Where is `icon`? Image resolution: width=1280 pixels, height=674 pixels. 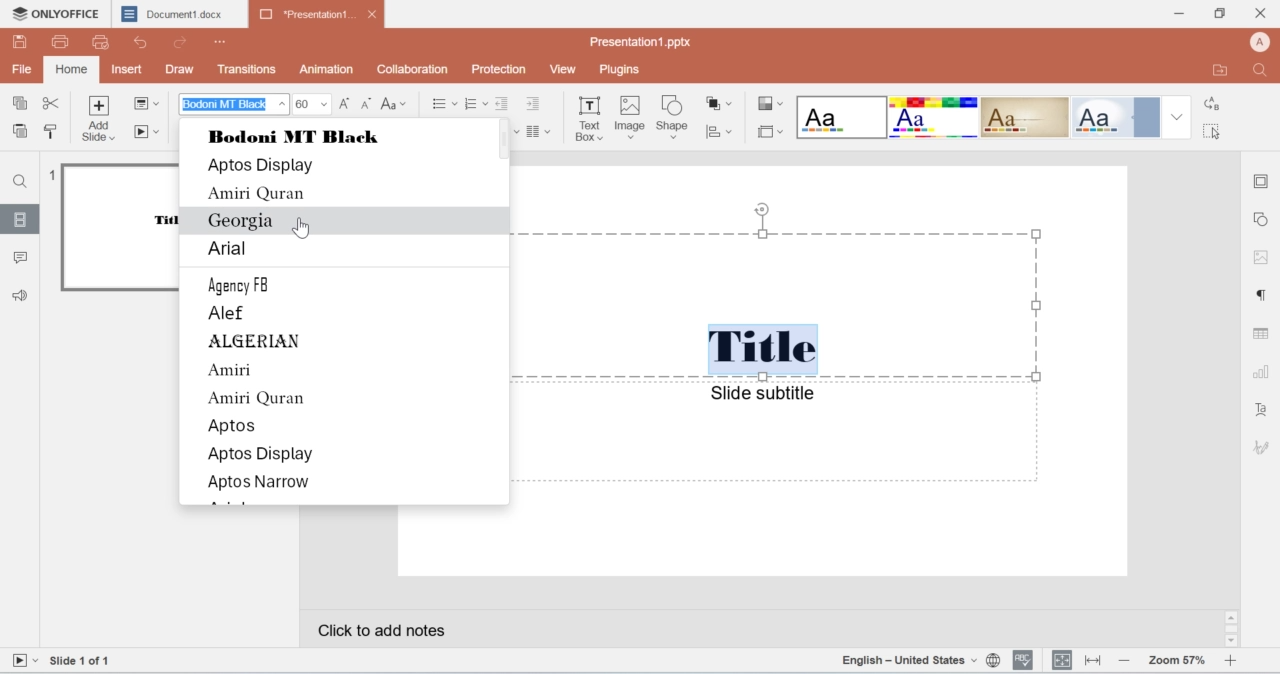
icon is located at coordinates (1262, 446).